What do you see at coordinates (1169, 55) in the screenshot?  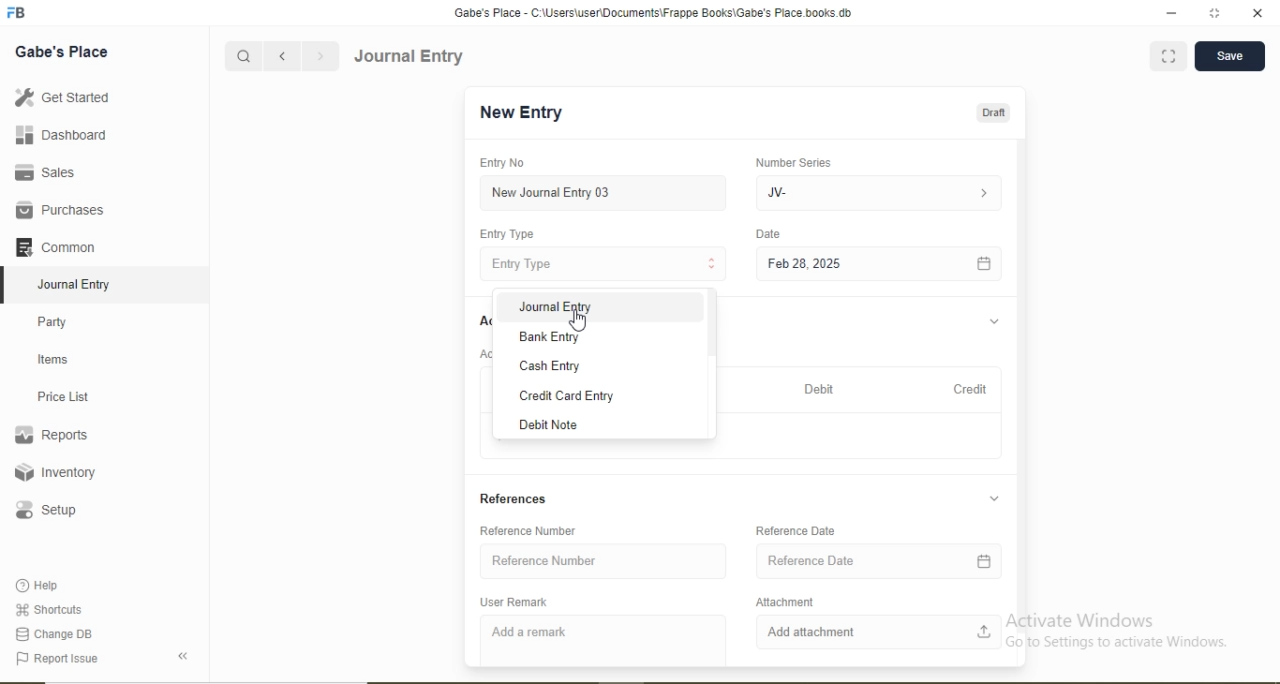 I see `Full screen` at bounding box center [1169, 55].